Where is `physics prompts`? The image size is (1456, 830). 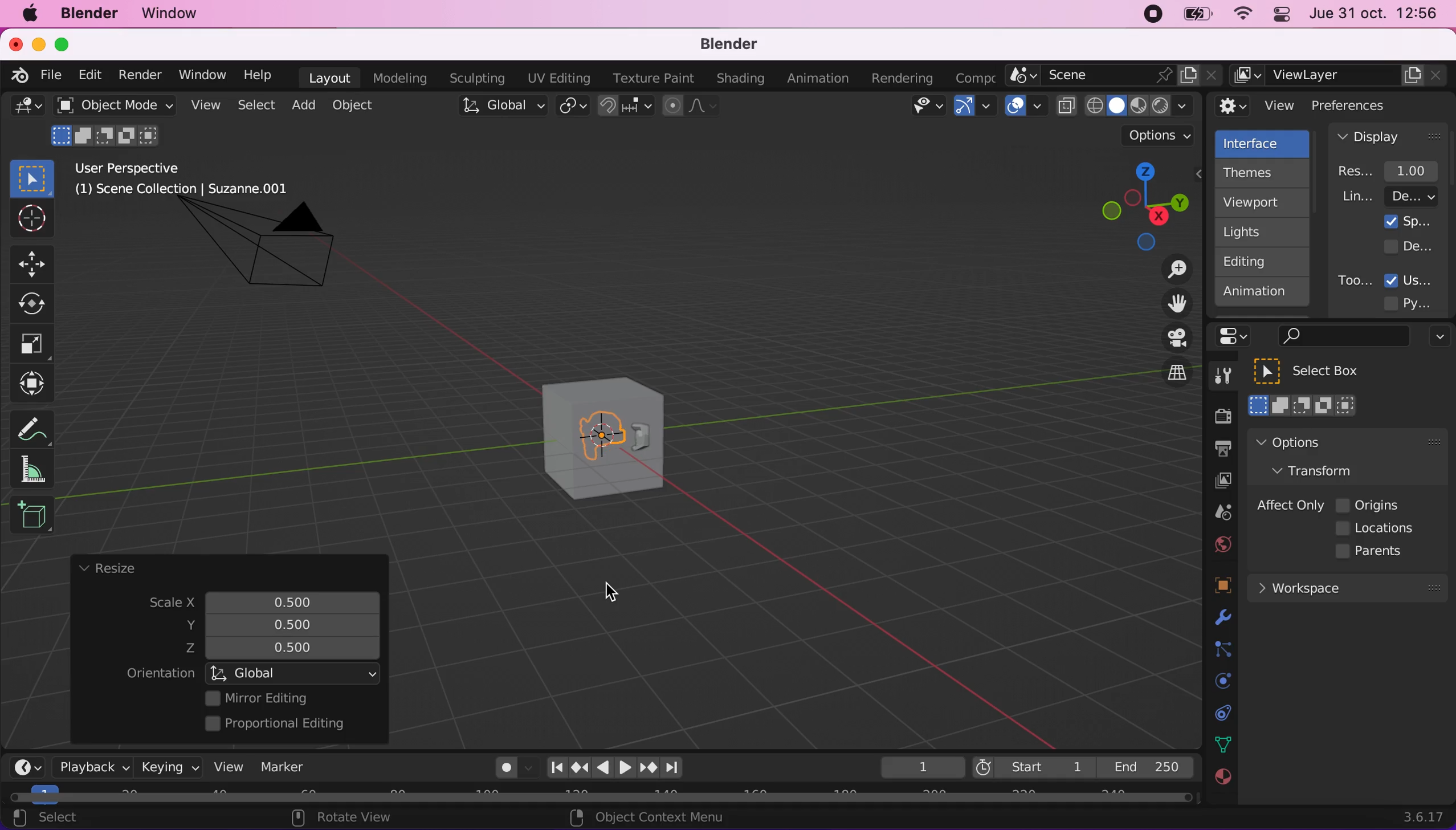 physics prompts is located at coordinates (1216, 682).